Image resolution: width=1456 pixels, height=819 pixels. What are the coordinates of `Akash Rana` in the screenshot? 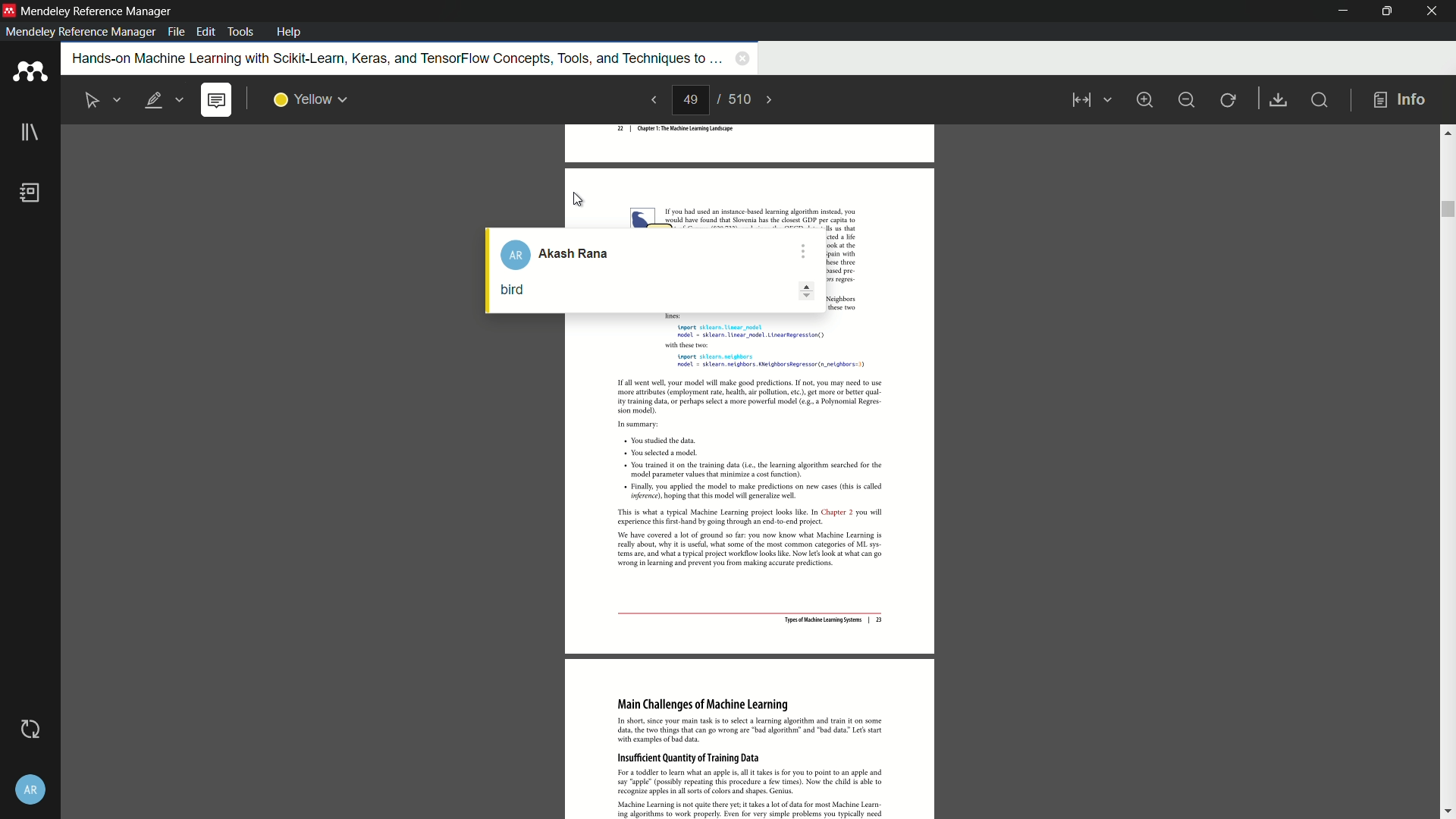 It's located at (563, 254).